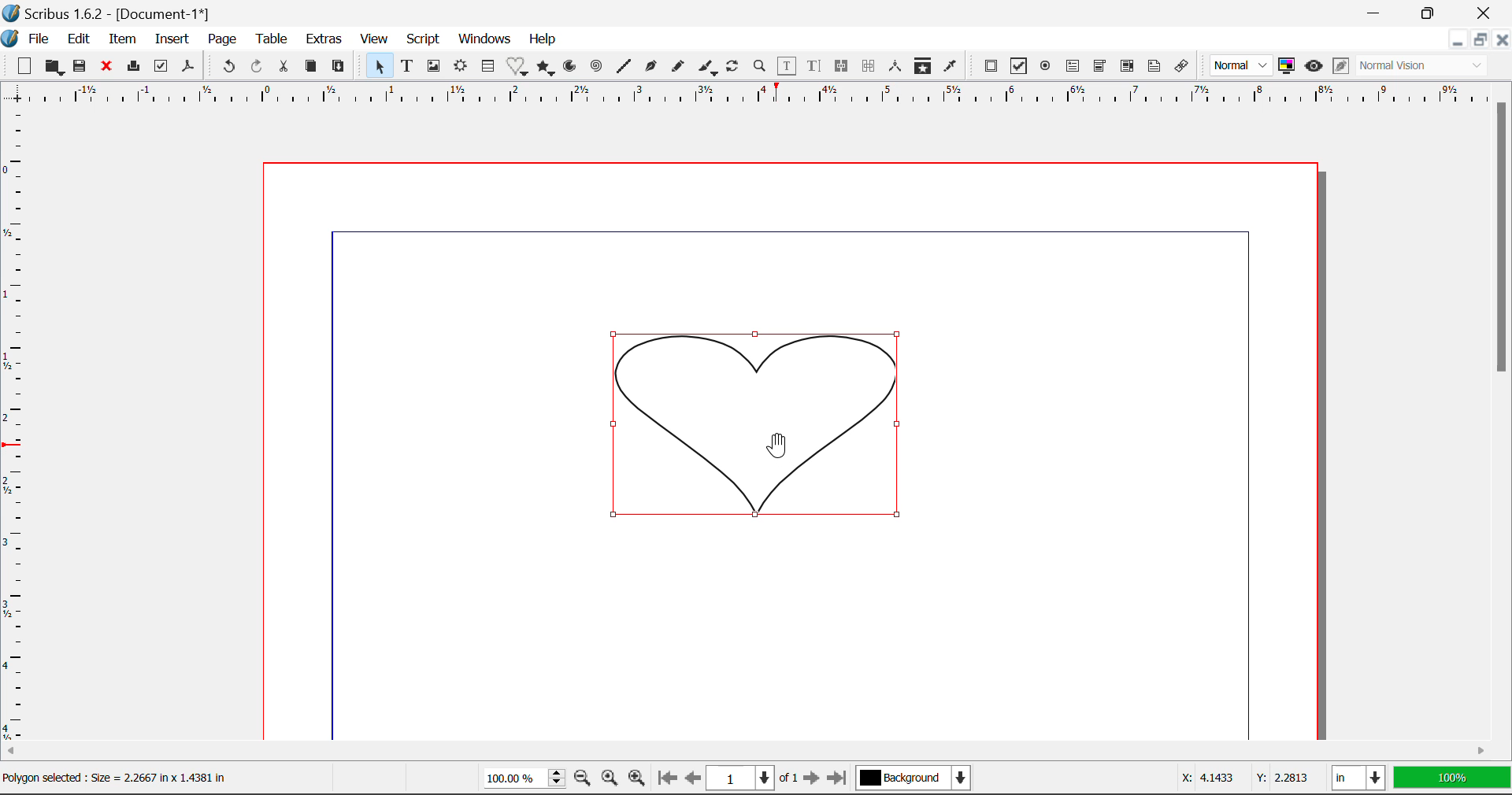 This screenshot has height=795, width=1512. I want to click on X: 4.1433, so click(1206, 779).